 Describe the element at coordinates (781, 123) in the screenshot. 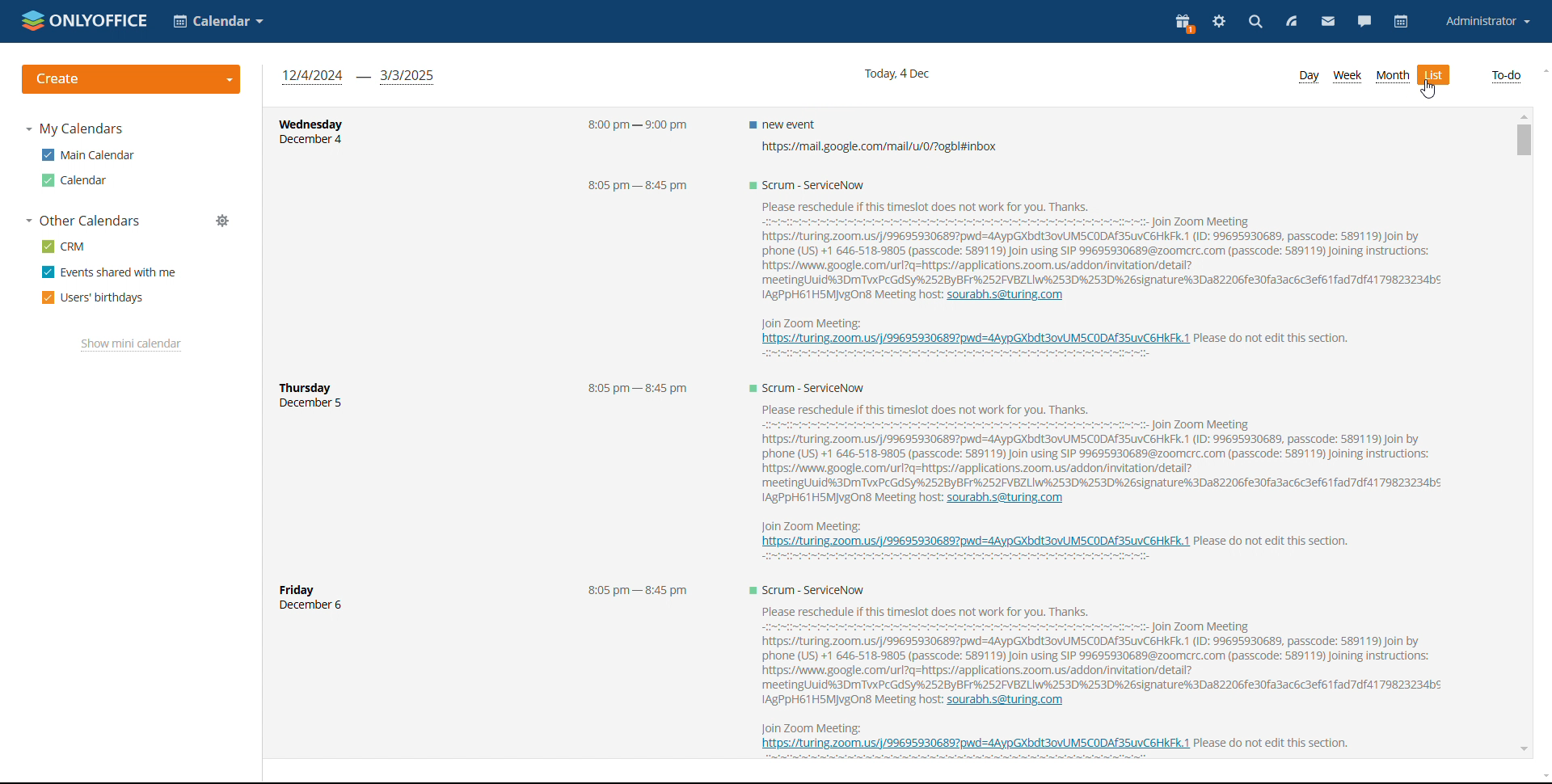

I see `W new event` at that location.